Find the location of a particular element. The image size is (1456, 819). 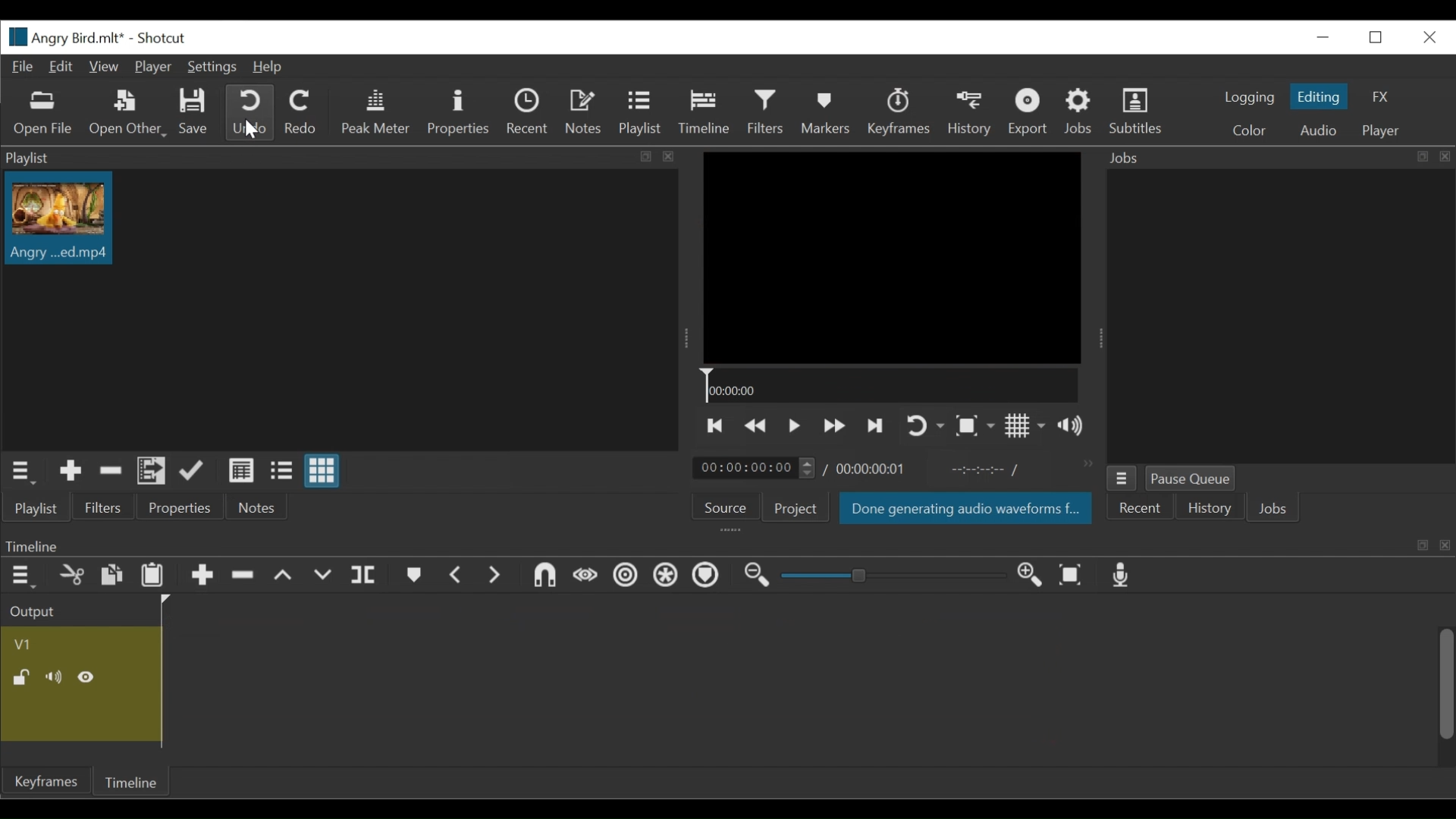

Toggle player looping is located at coordinates (921, 424).